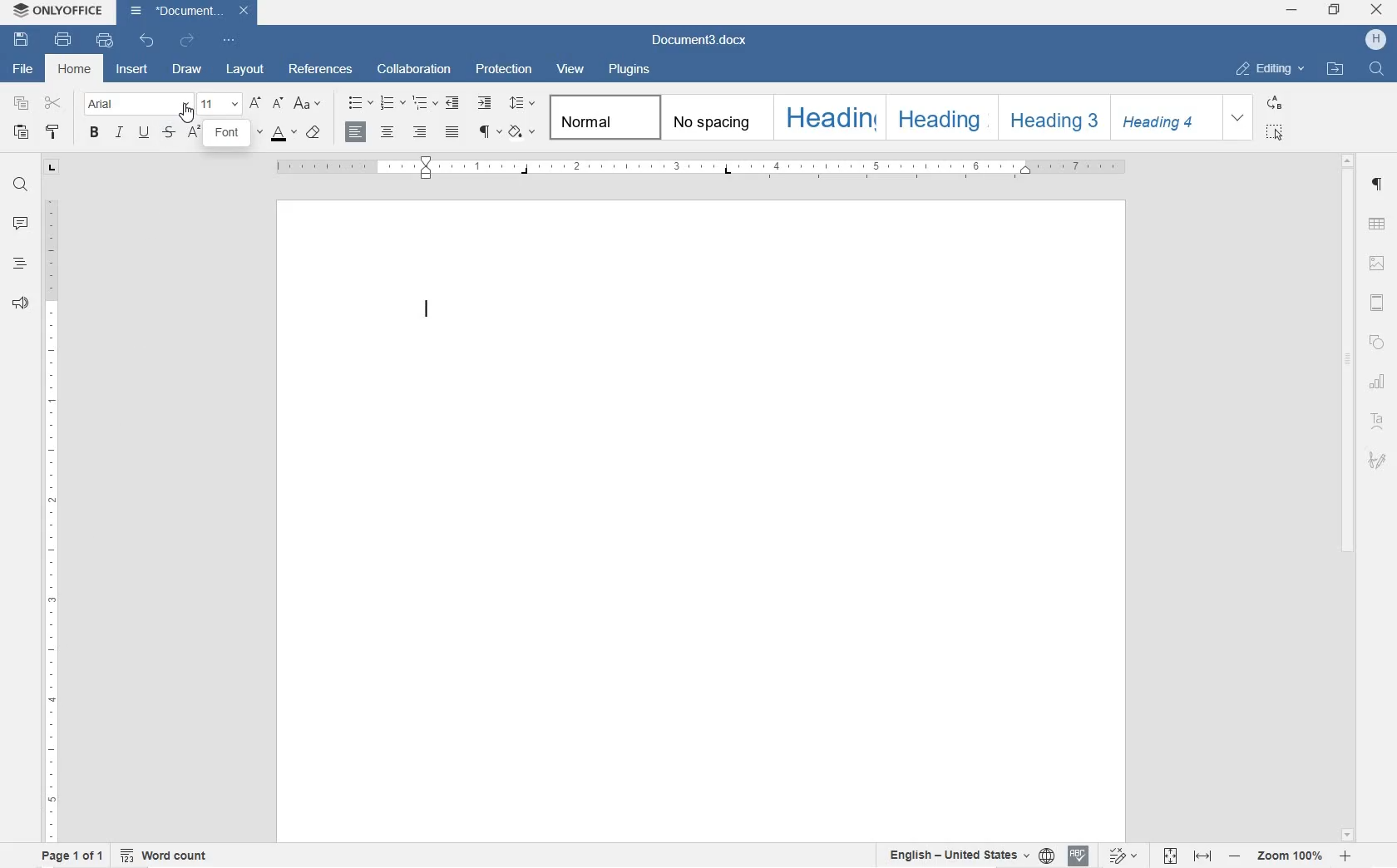  What do you see at coordinates (137, 106) in the screenshot?
I see `ARIAL` at bounding box center [137, 106].